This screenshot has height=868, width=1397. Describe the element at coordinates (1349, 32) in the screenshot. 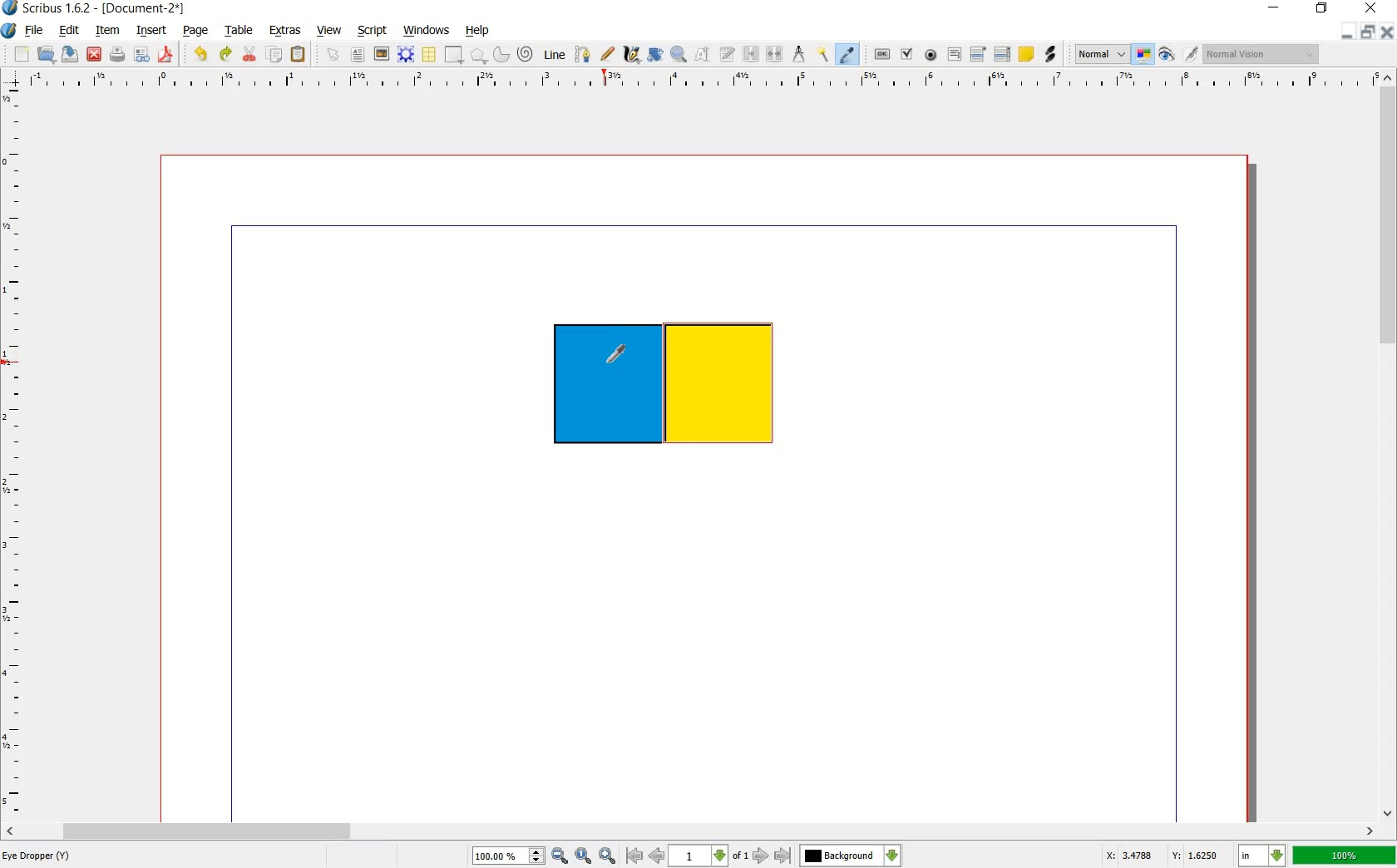

I see `minimize` at that location.